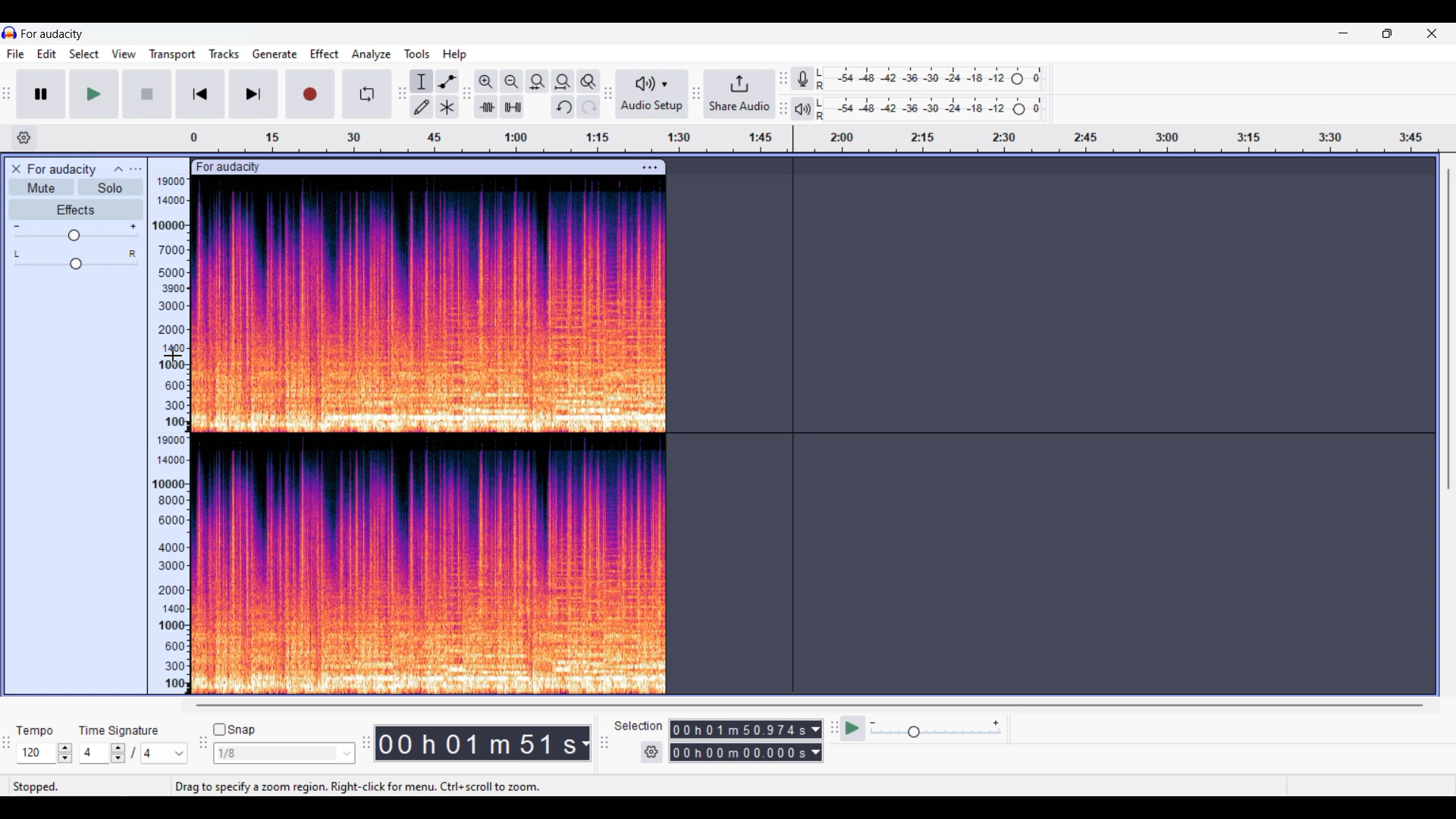 The width and height of the screenshot is (1456, 819). Describe the element at coordinates (486, 108) in the screenshot. I see `Trim audio outside selection` at that location.